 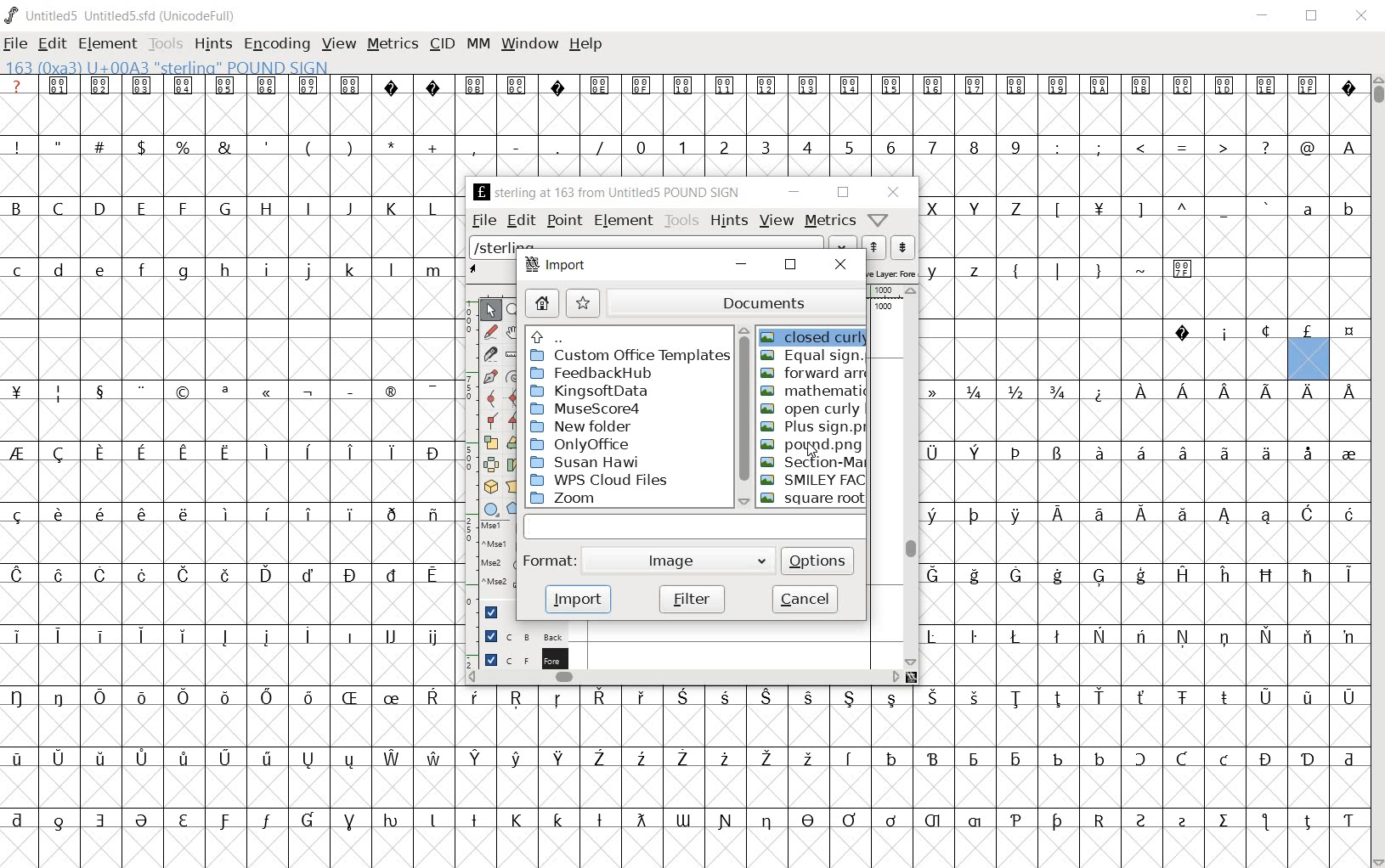 What do you see at coordinates (597, 148) in the screenshot?
I see `/` at bounding box center [597, 148].